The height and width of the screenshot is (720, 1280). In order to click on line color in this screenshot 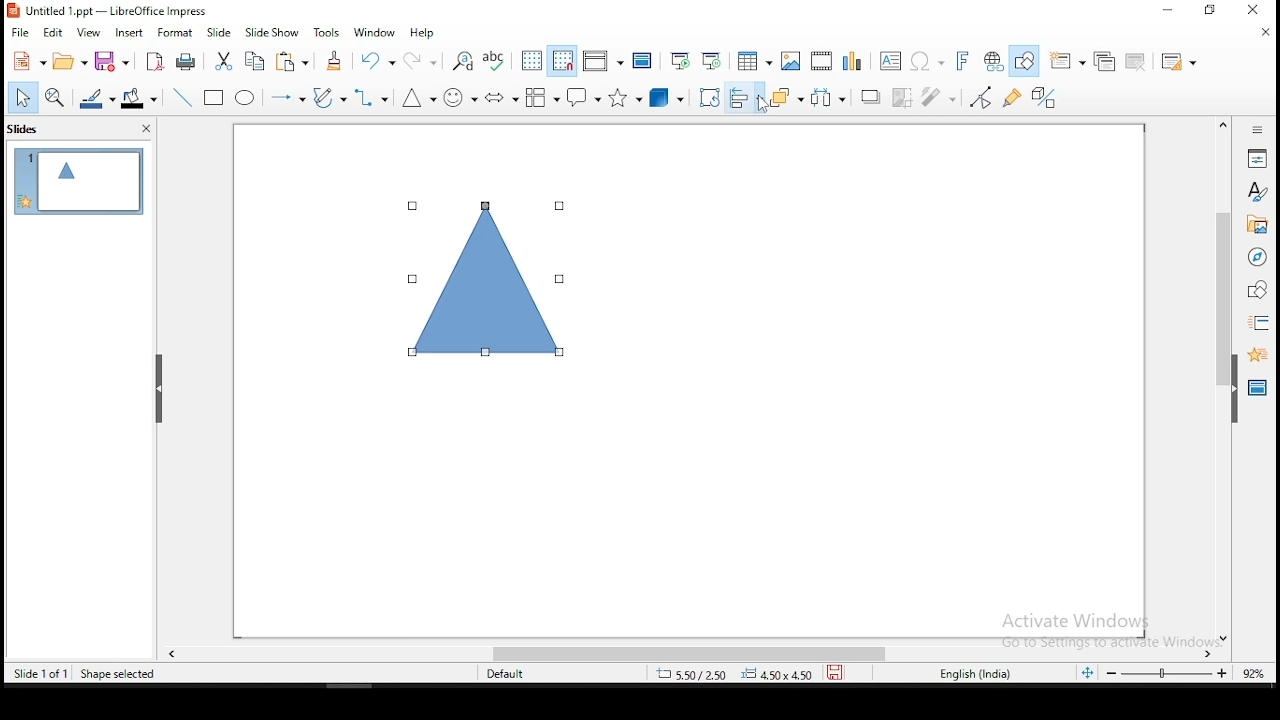, I will do `click(97, 97)`.